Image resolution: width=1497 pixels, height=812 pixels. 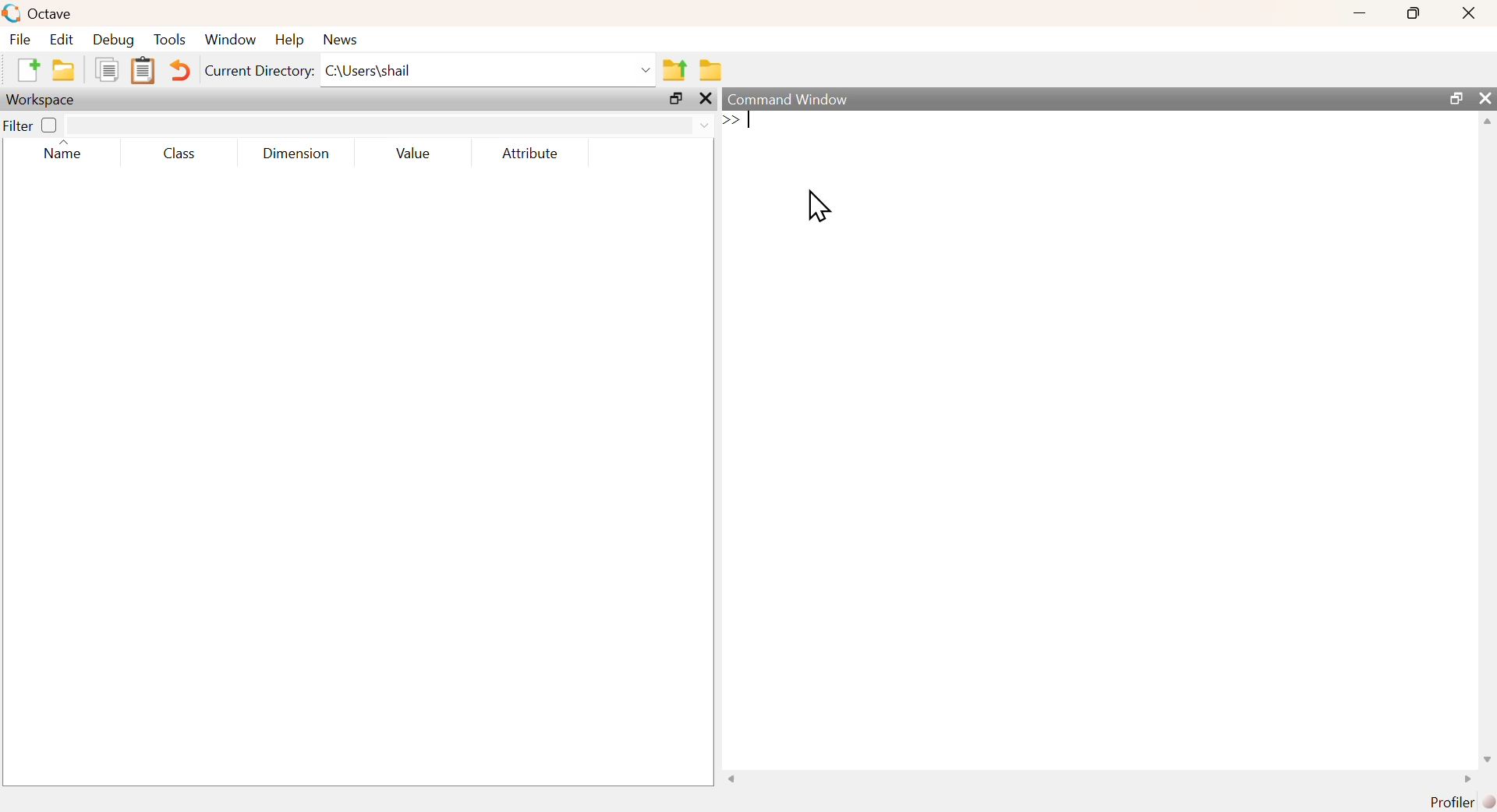 What do you see at coordinates (418, 154) in the screenshot?
I see `Value` at bounding box center [418, 154].